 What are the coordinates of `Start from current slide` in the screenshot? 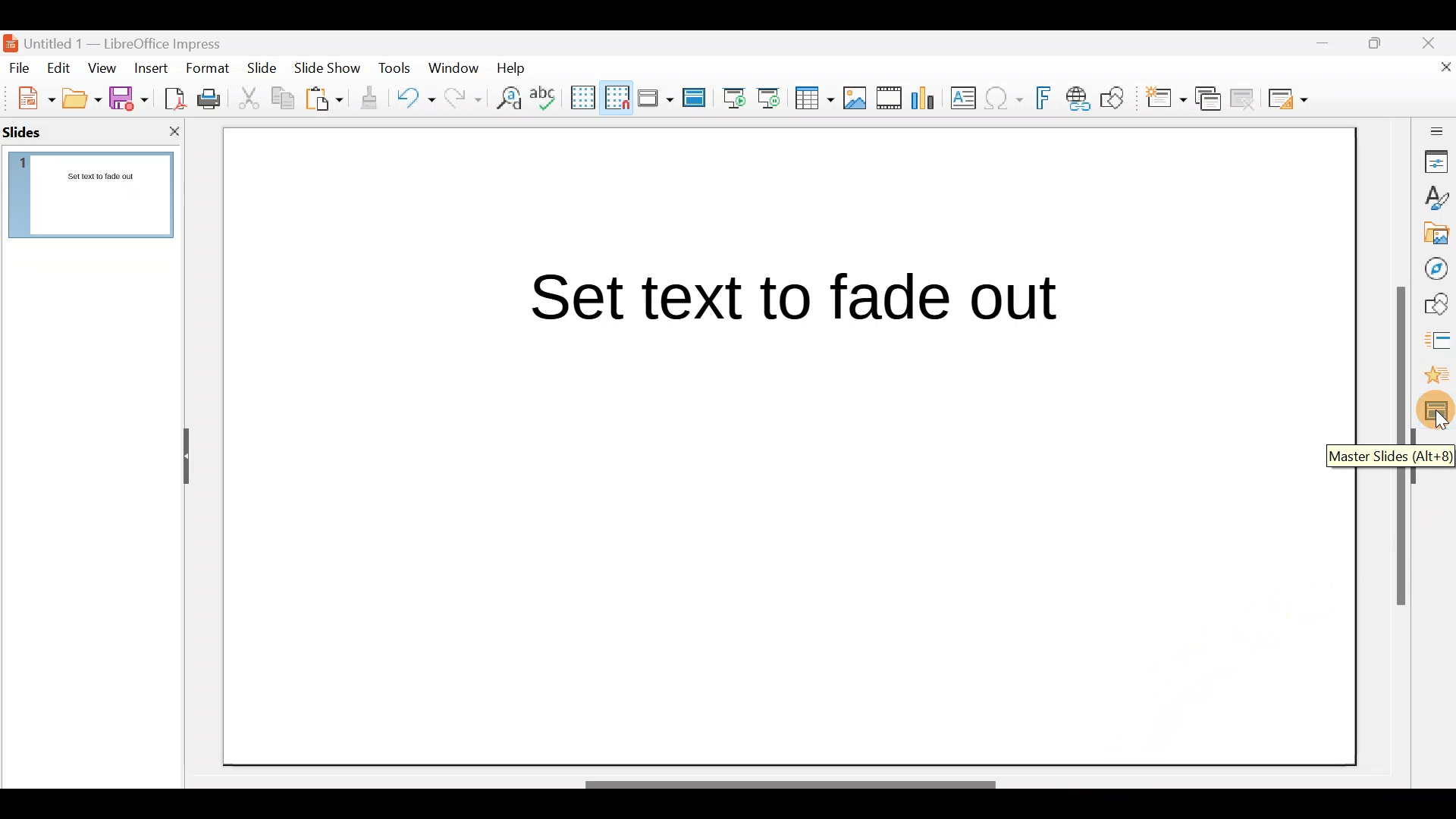 It's located at (773, 97).